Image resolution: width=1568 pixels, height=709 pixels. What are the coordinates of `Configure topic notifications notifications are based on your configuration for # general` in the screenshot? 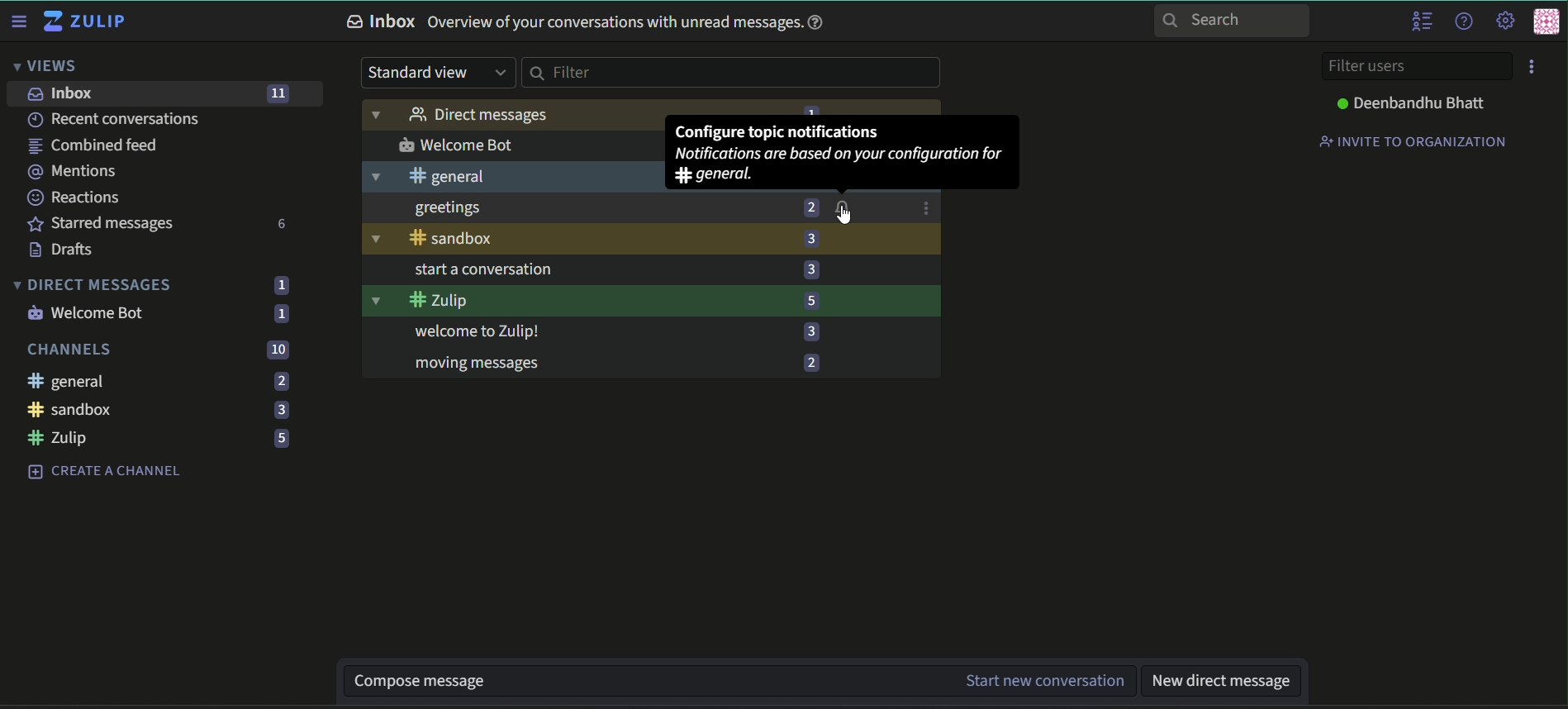 It's located at (840, 152).